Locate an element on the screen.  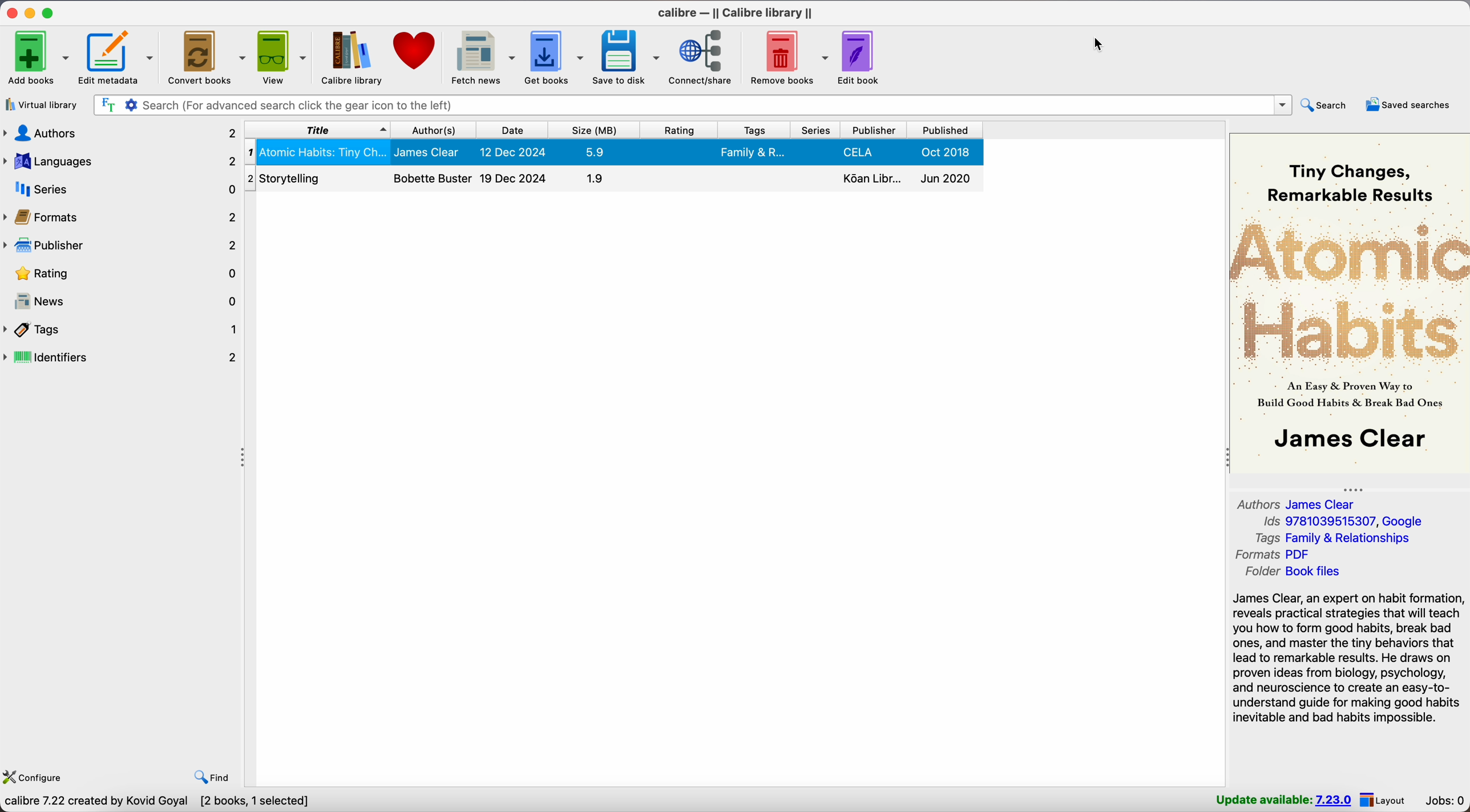
update available: 7.23.0 is located at coordinates (1283, 800).